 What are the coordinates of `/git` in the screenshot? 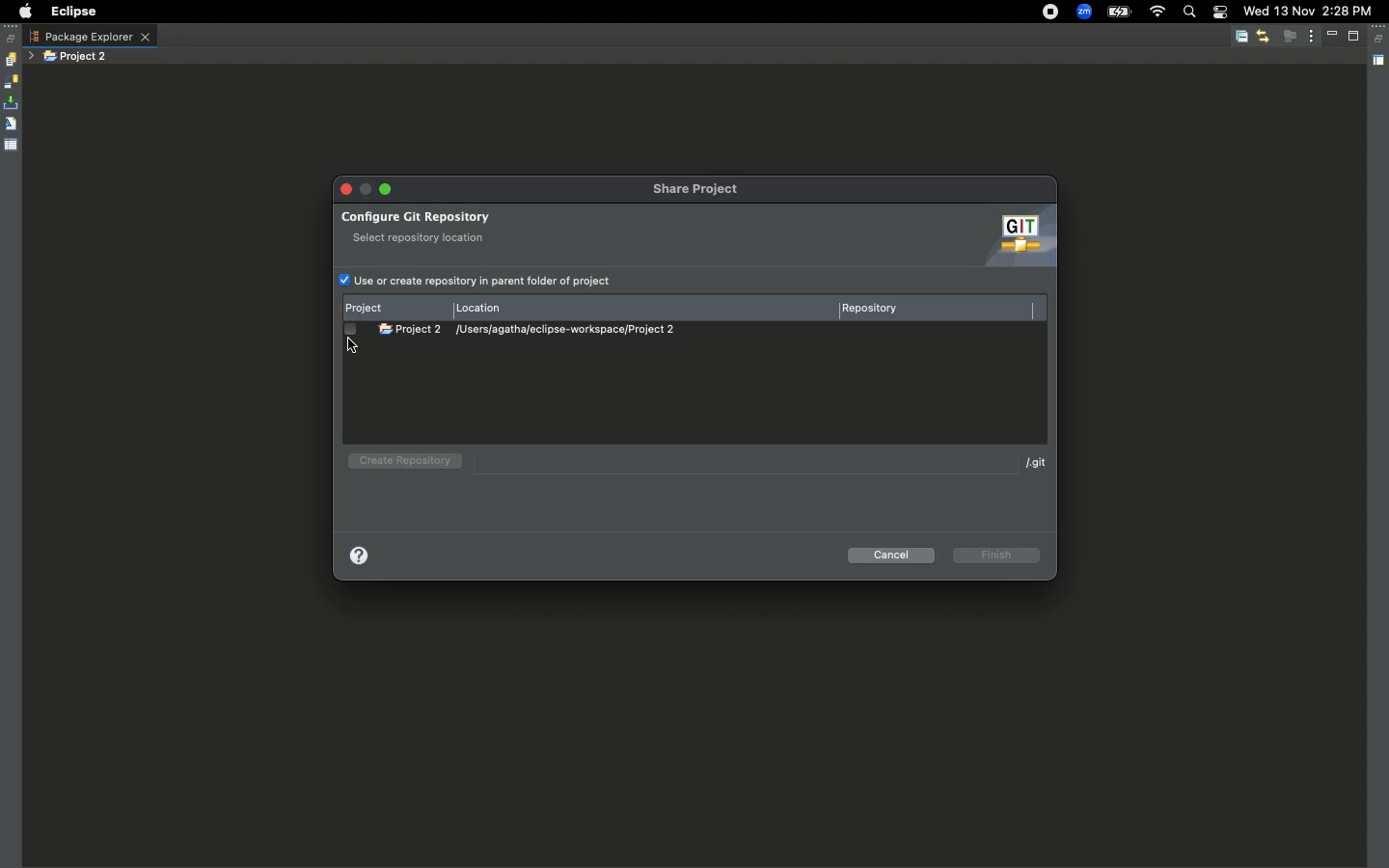 It's located at (1028, 462).